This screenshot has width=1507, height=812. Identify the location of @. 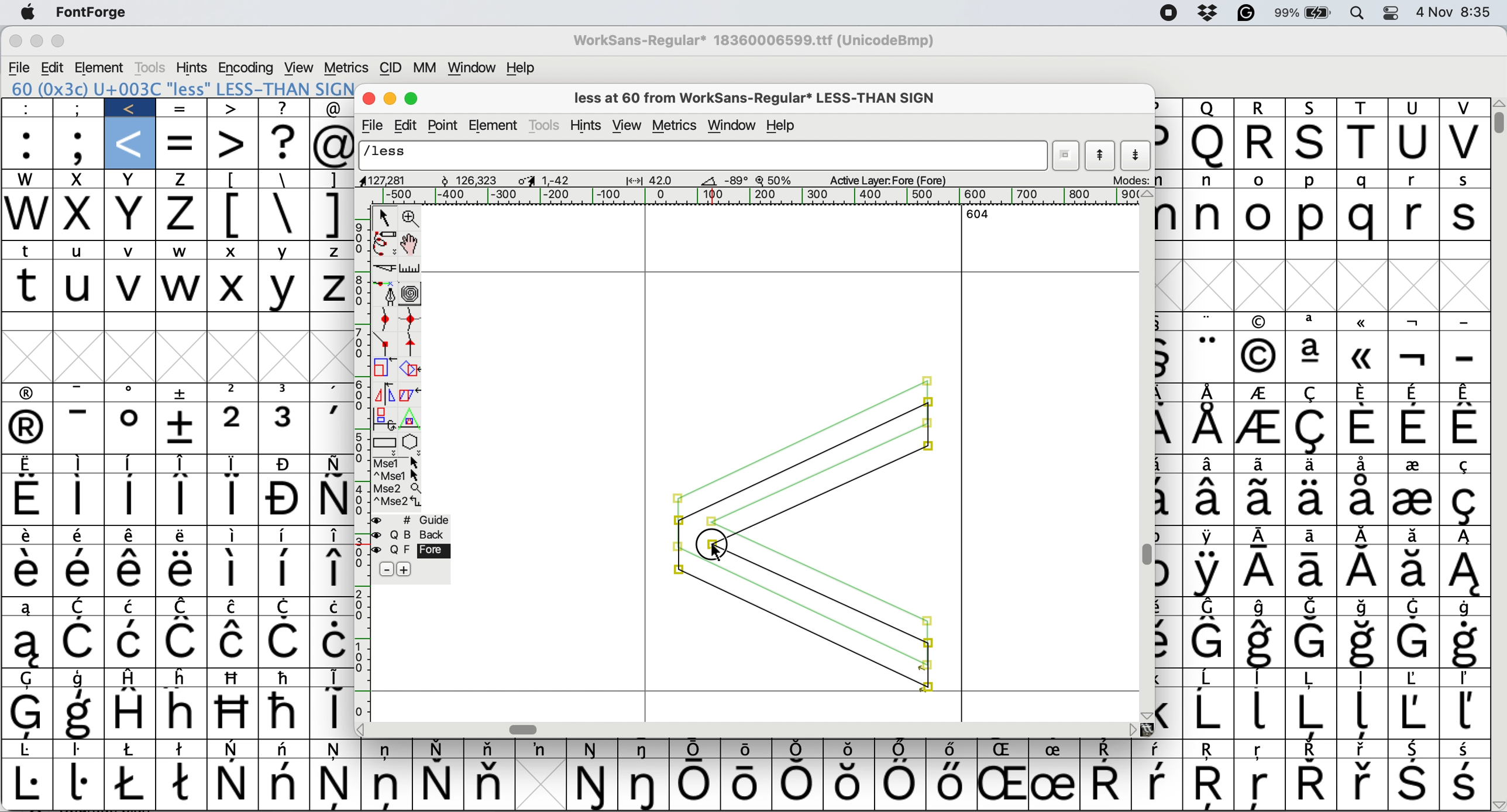
(335, 144).